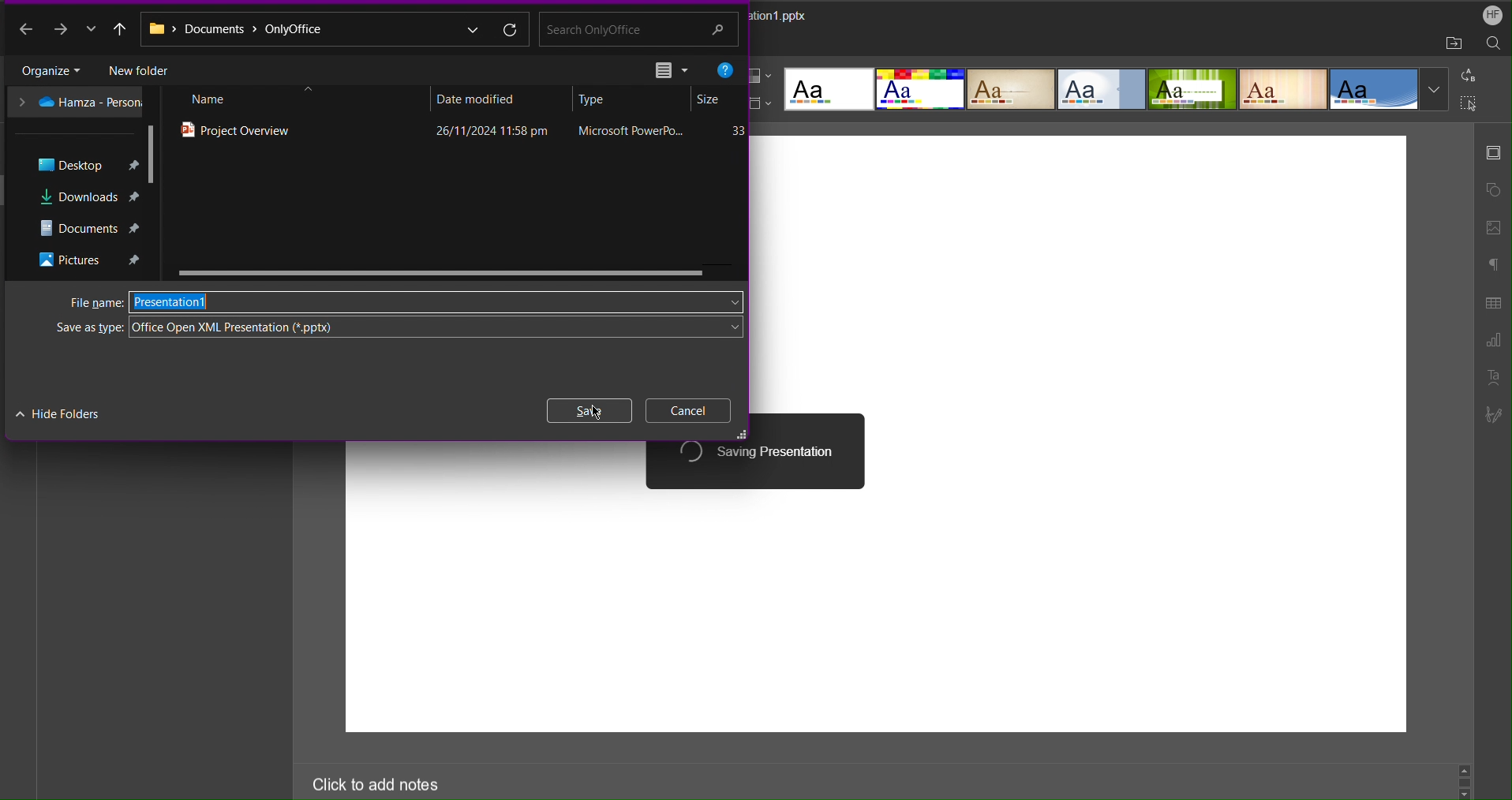 The width and height of the screenshot is (1512, 800). Describe the element at coordinates (207, 99) in the screenshot. I see `Name` at that location.